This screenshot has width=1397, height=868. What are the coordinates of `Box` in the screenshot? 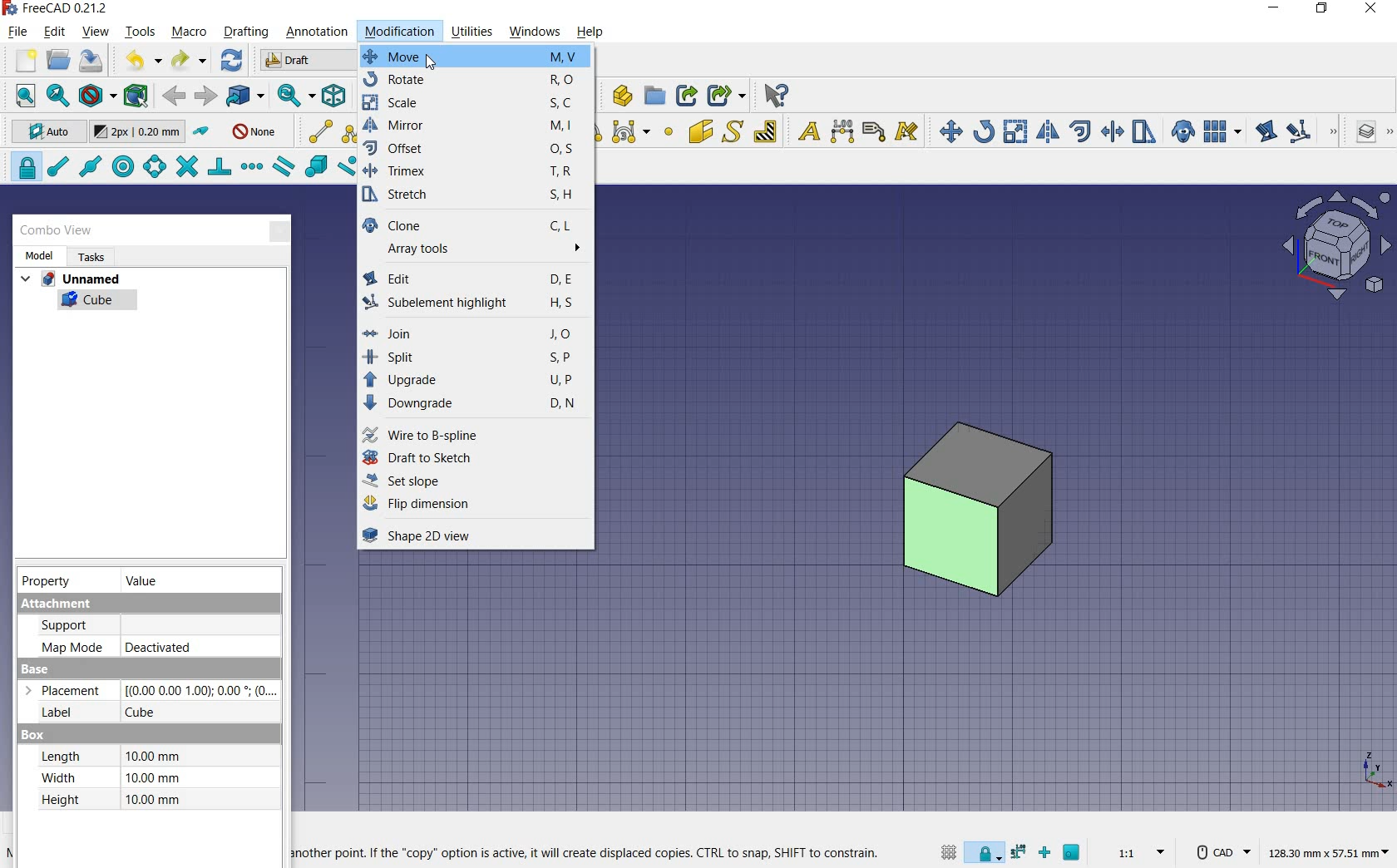 It's located at (32, 735).